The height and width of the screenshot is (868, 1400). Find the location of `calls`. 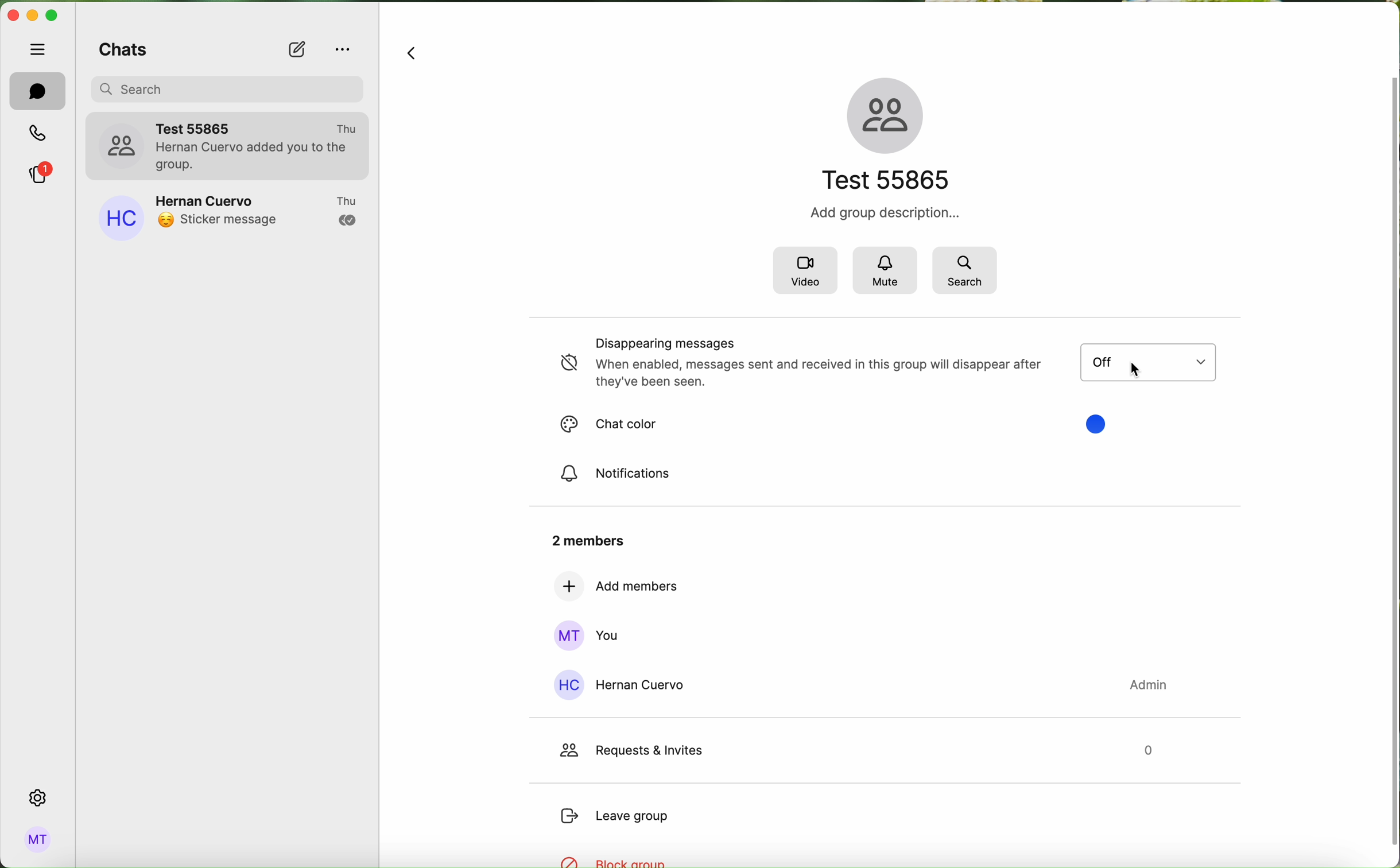

calls is located at coordinates (39, 133).